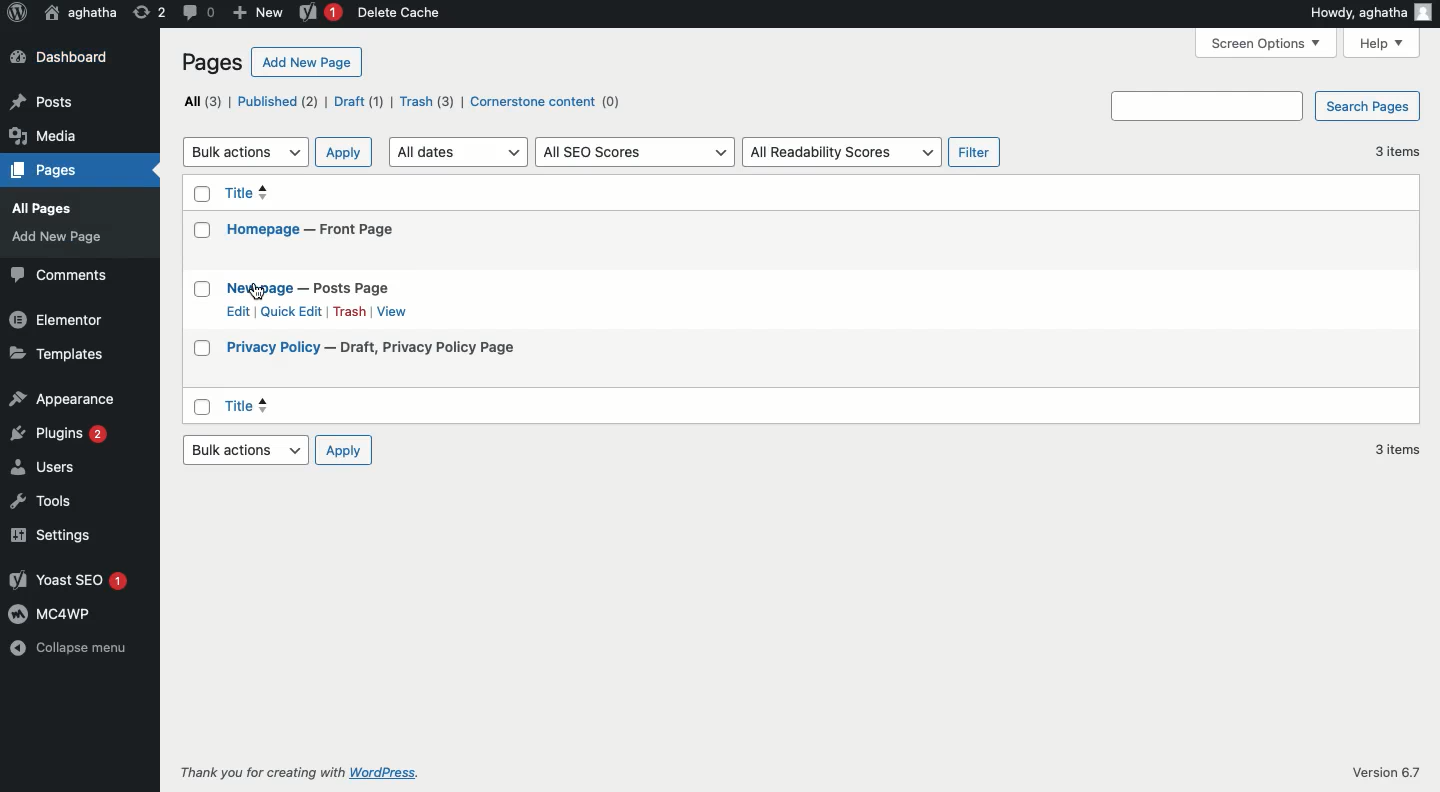 Image resolution: width=1440 pixels, height=792 pixels. What do you see at coordinates (244, 151) in the screenshot?
I see `Bulk actions` at bounding box center [244, 151].